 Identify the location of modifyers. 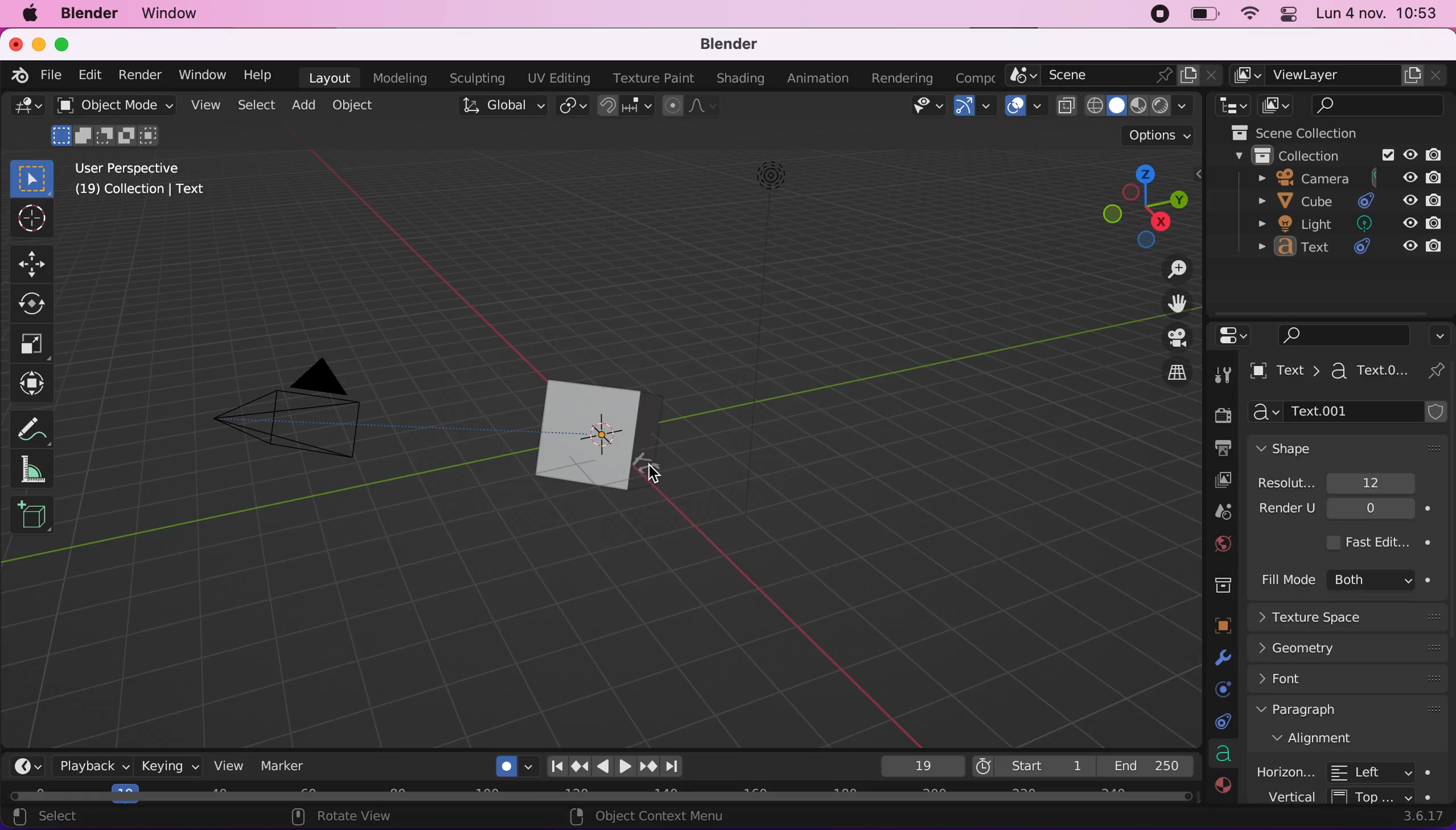
(1224, 658).